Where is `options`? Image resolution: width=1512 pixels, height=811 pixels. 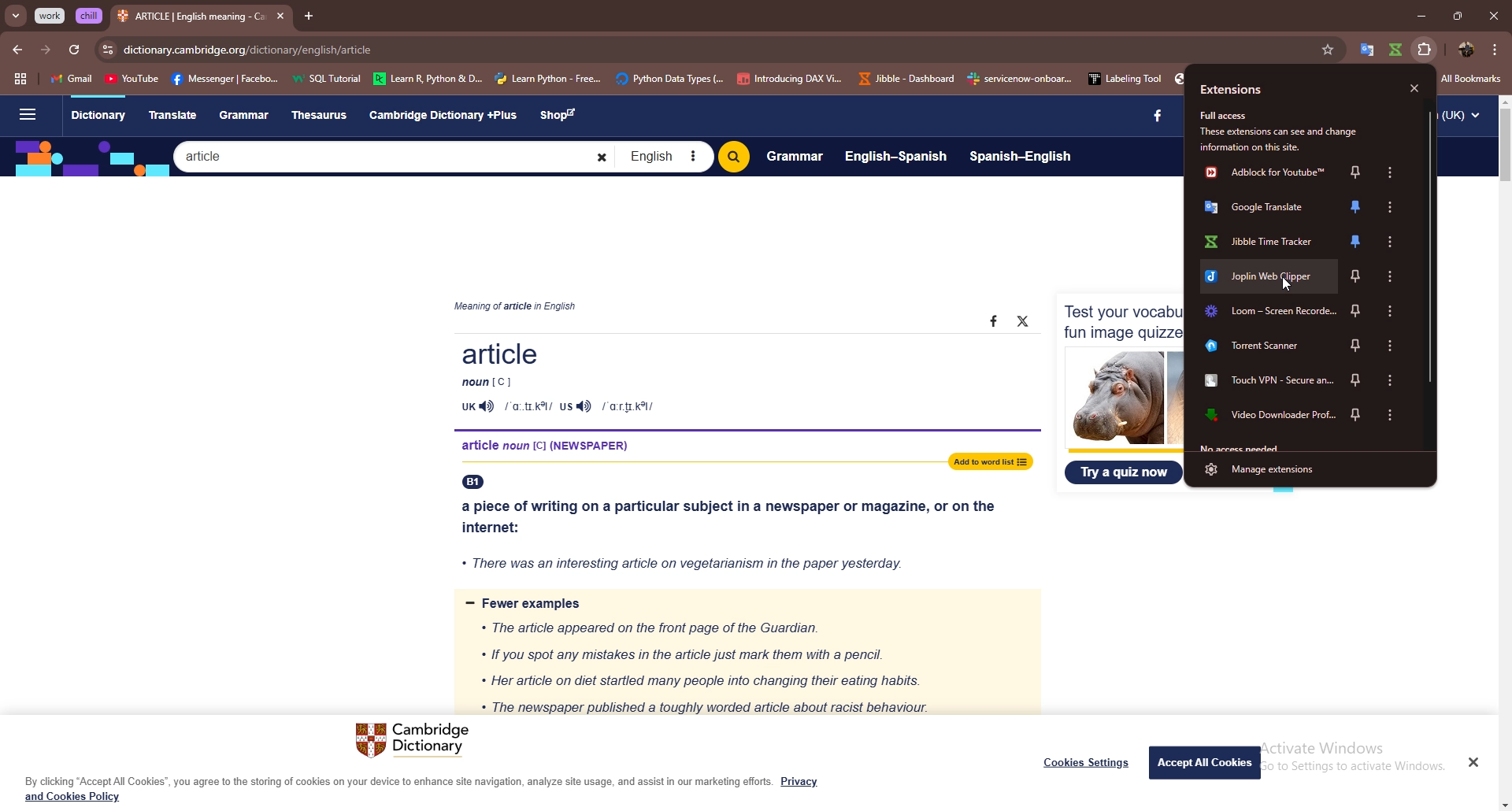
options is located at coordinates (1495, 49).